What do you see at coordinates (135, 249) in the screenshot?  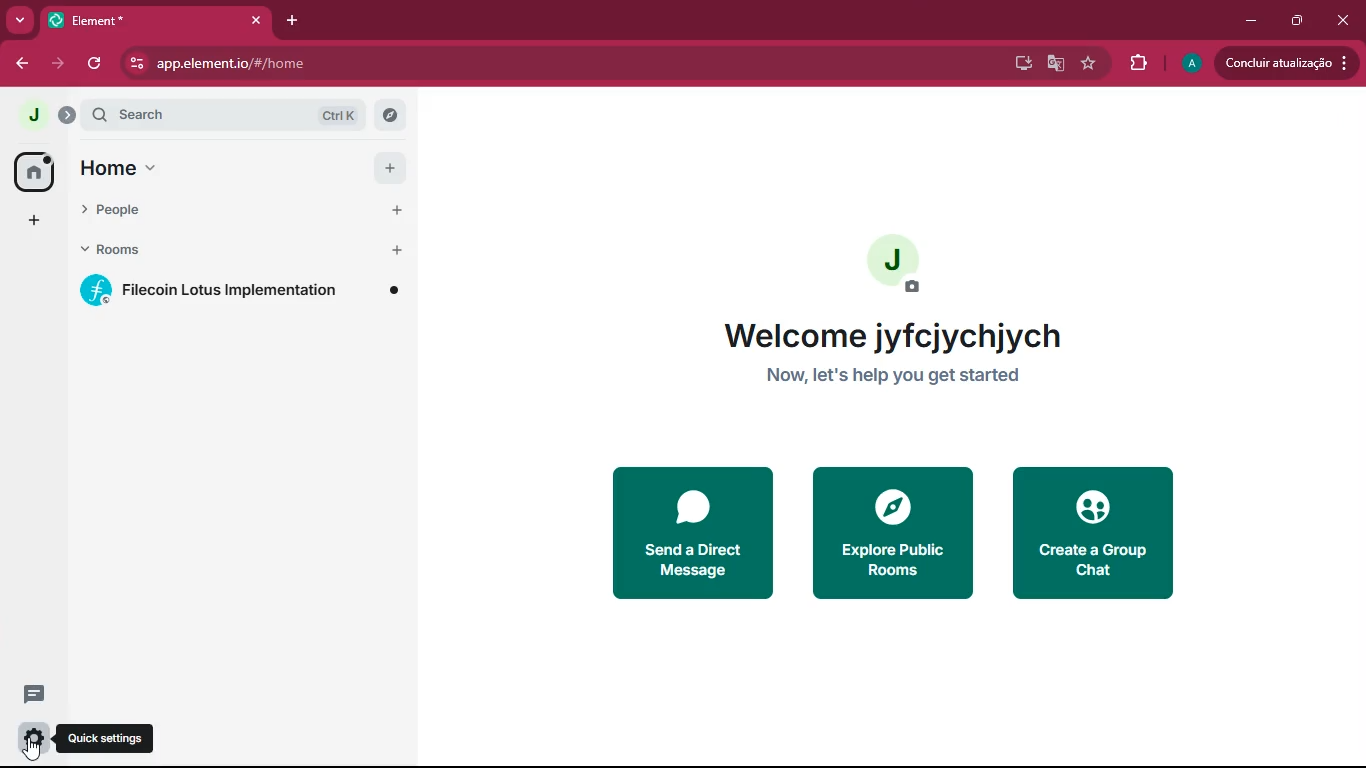 I see `rooms` at bounding box center [135, 249].